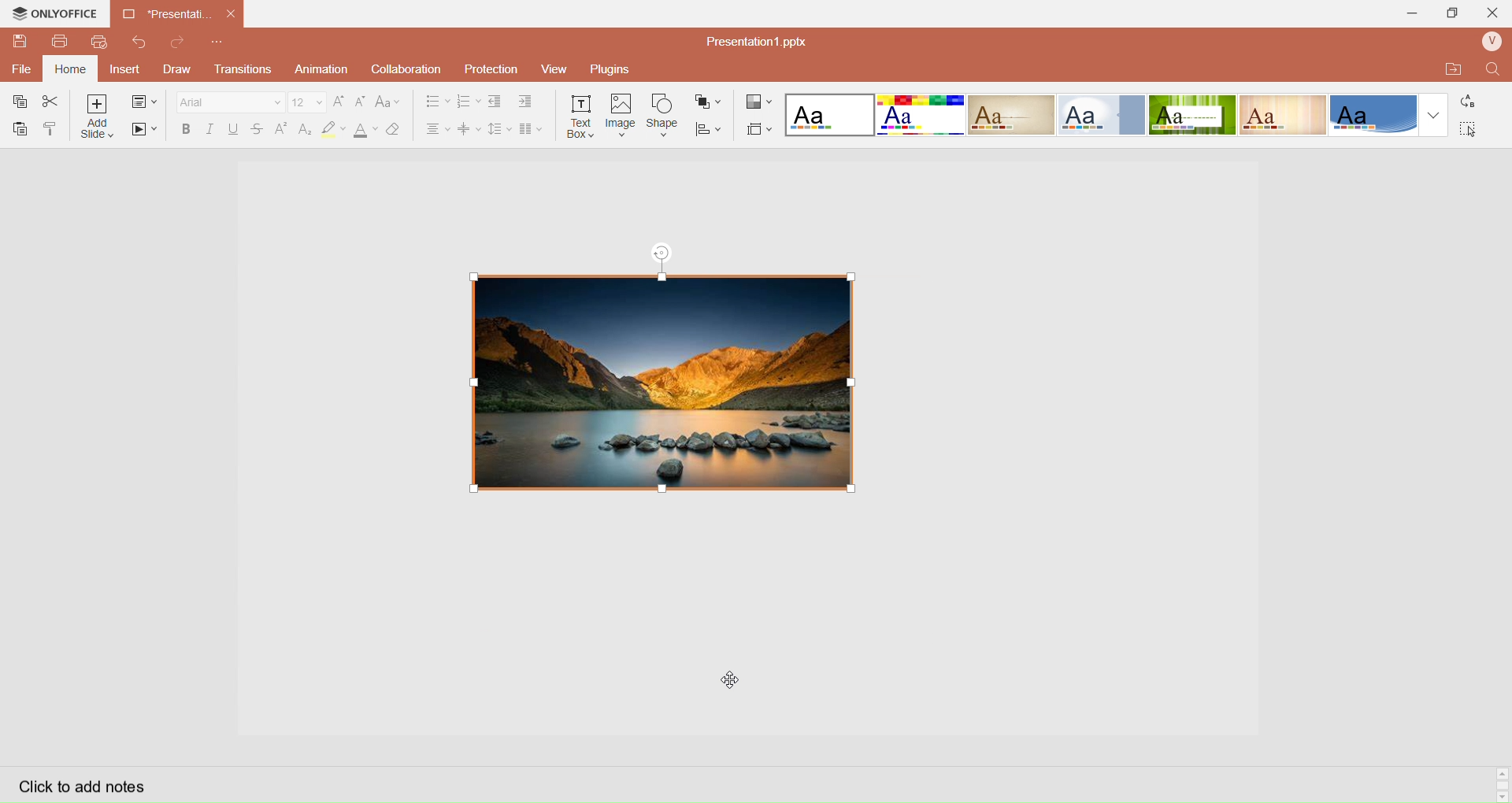  What do you see at coordinates (709, 129) in the screenshot?
I see `Align Shape` at bounding box center [709, 129].